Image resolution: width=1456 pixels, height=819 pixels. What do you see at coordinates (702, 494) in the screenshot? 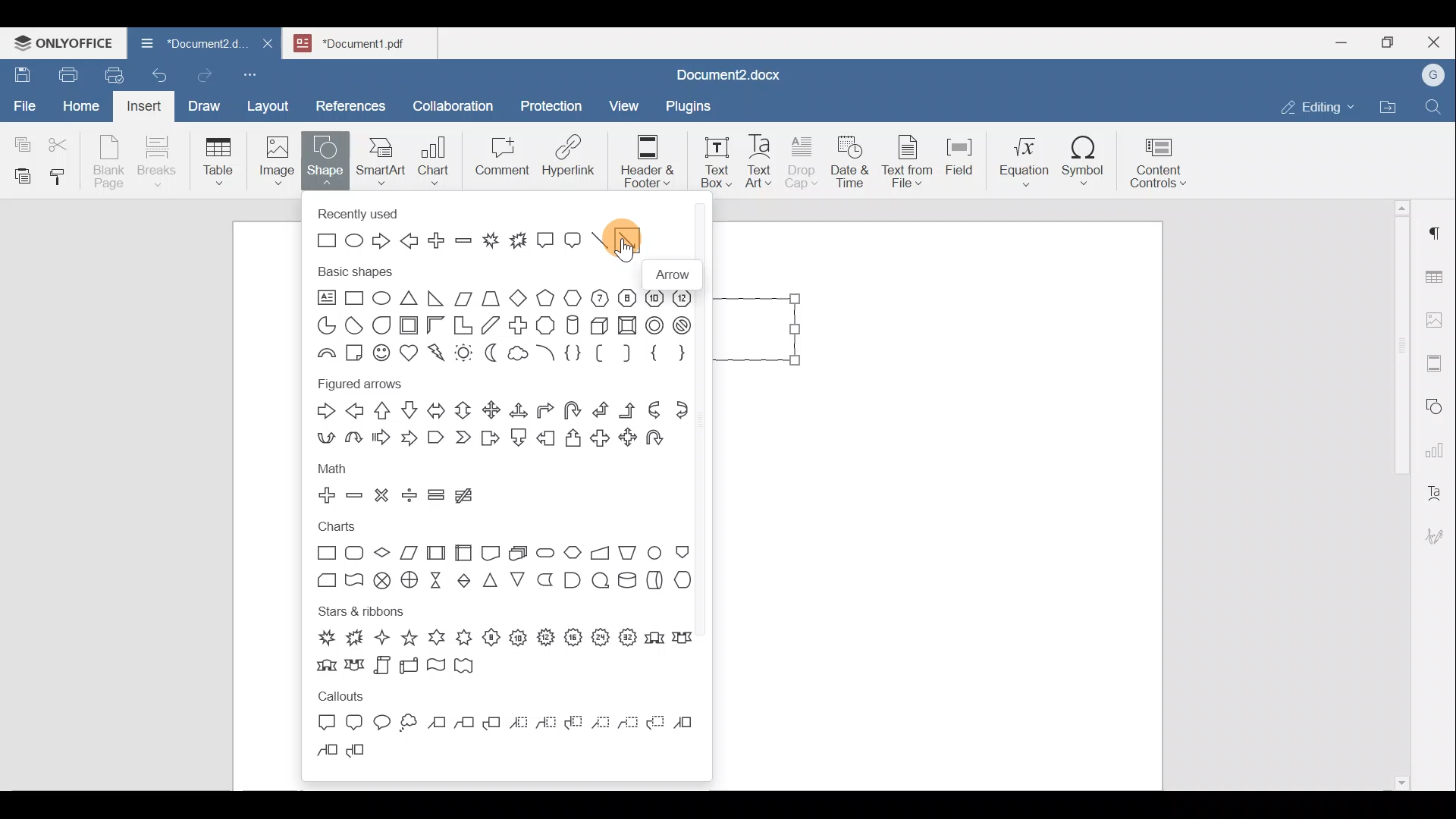
I see `Scroll bar` at bounding box center [702, 494].